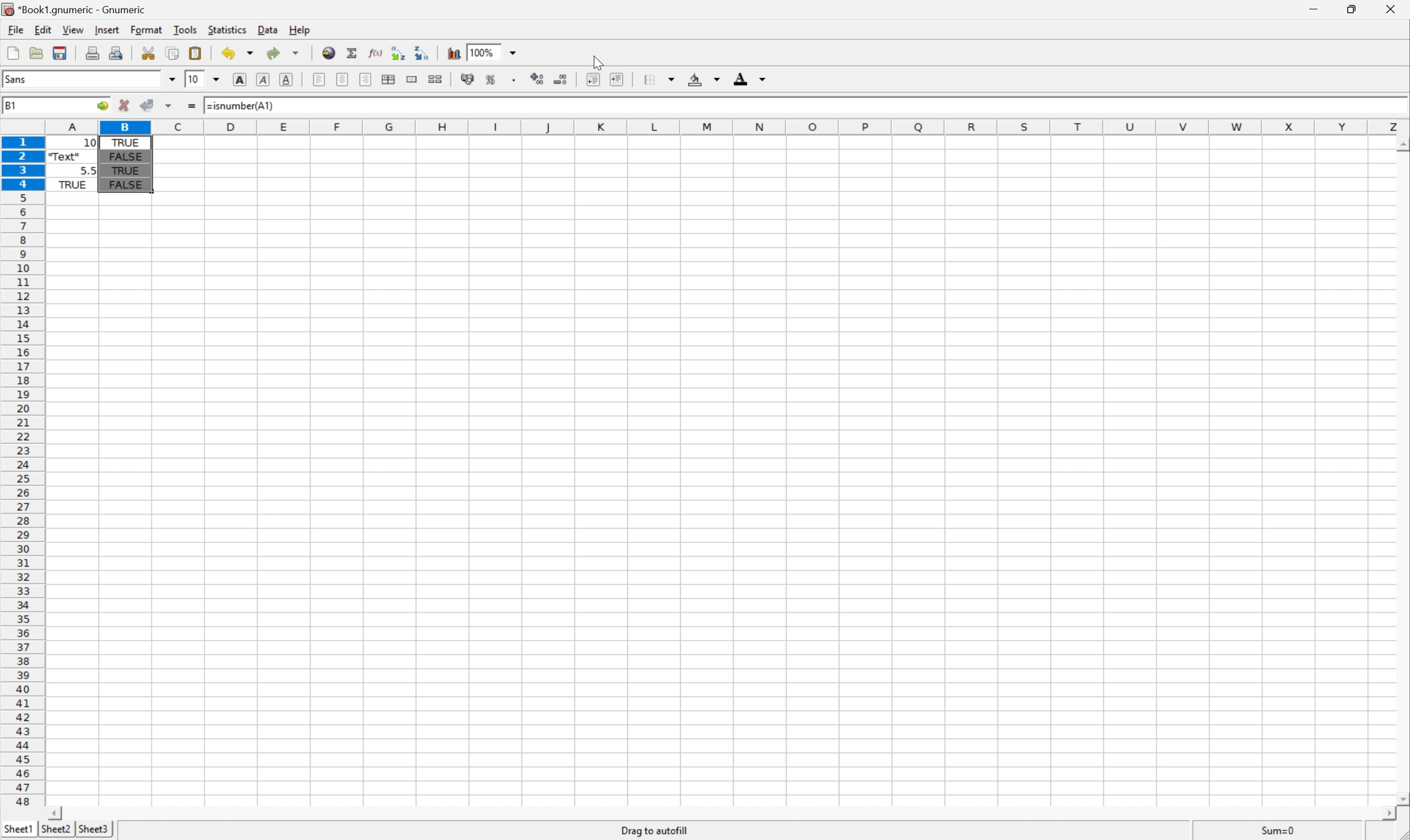 The height and width of the screenshot is (840, 1410). I want to click on Bold, so click(241, 79).